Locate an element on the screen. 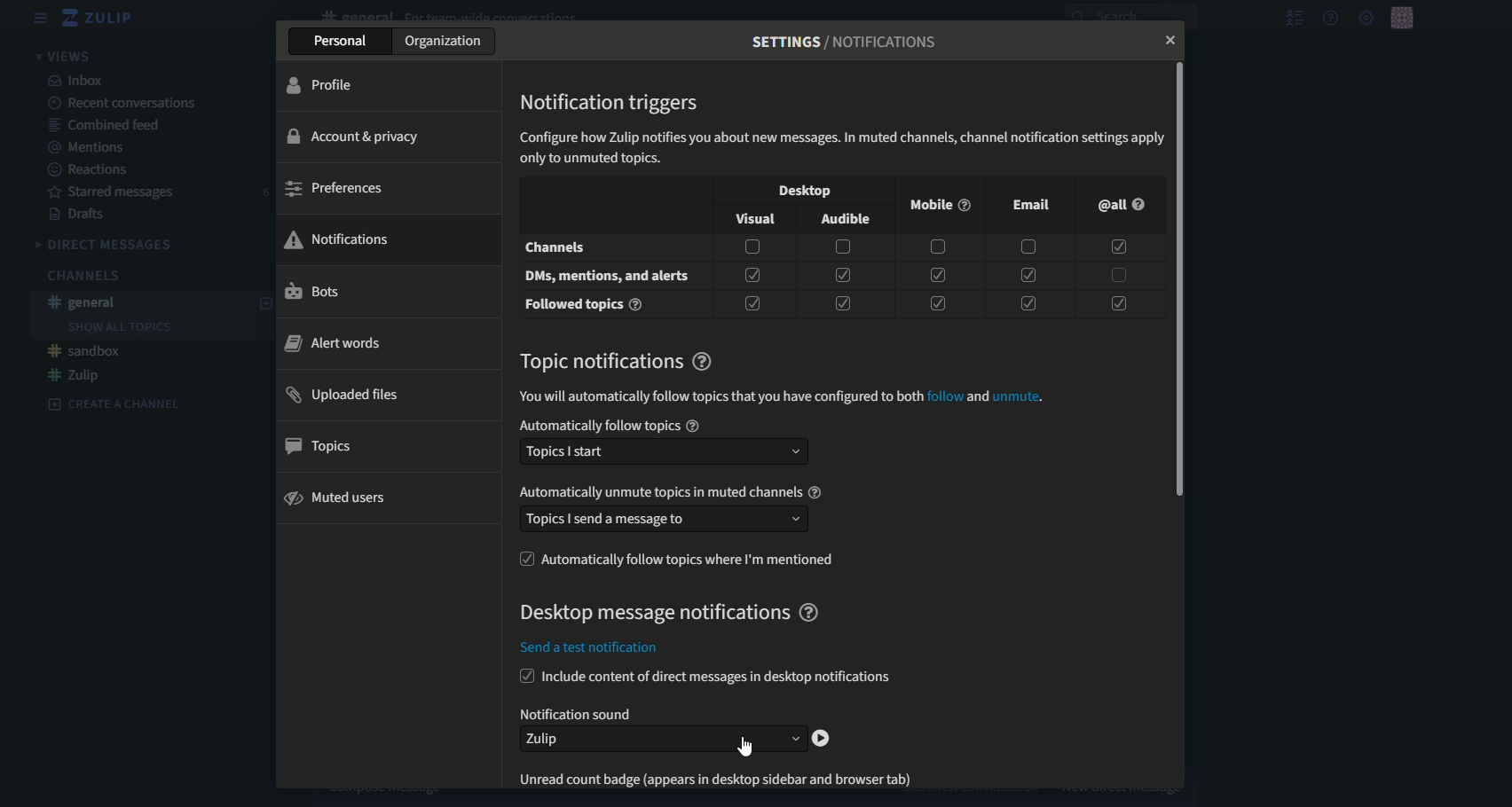  Cursor is located at coordinates (743, 745).